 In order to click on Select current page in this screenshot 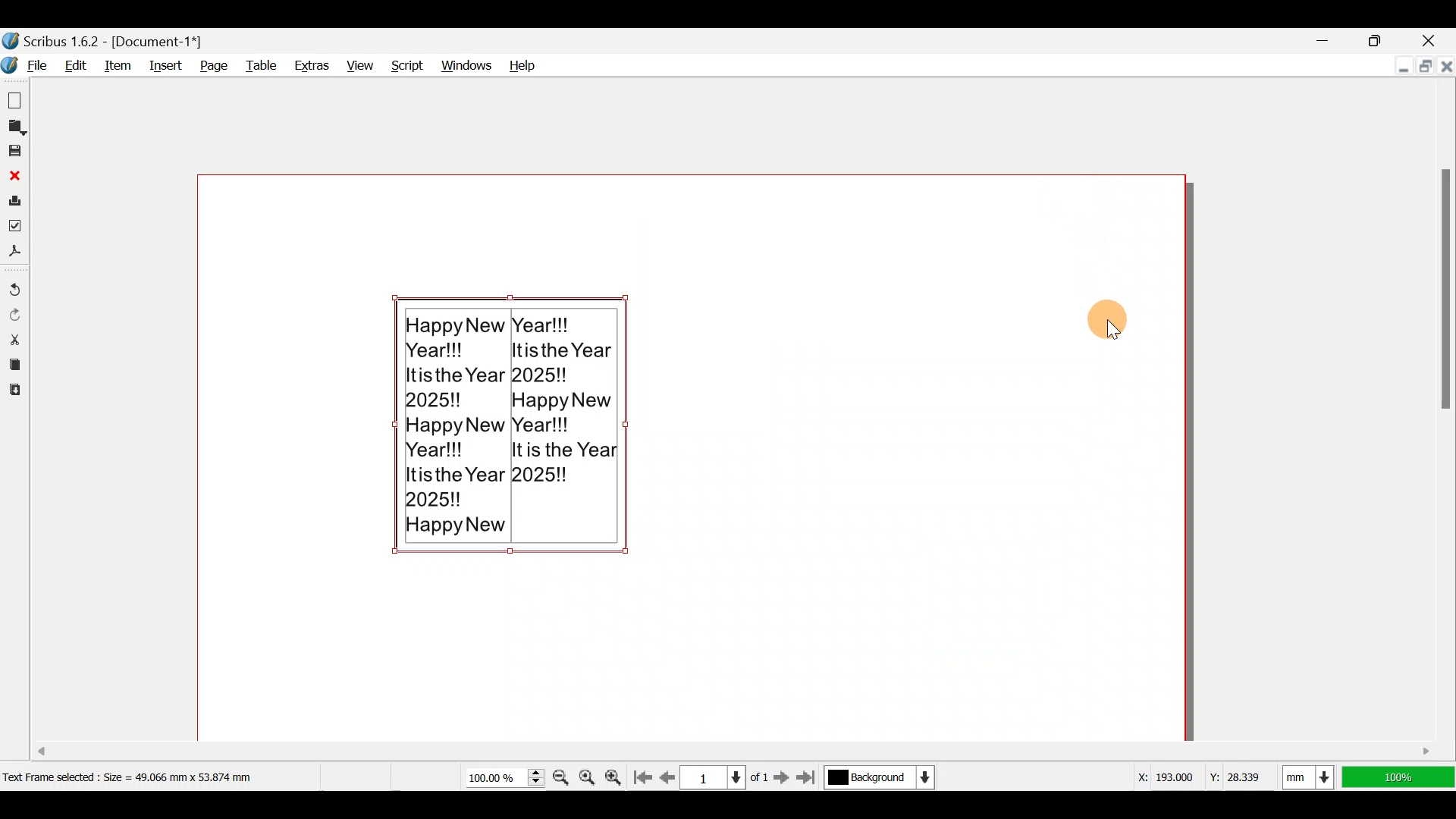, I will do `click(725, 776)`.